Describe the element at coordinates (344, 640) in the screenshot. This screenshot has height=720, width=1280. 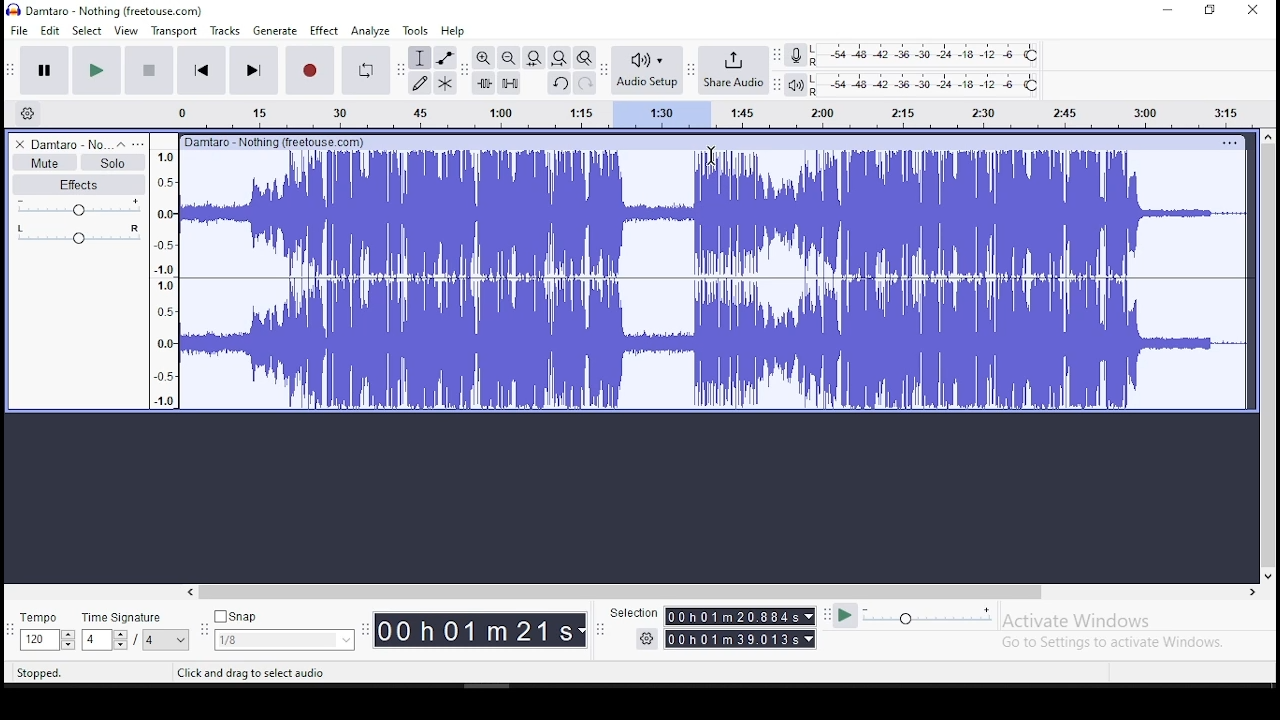
I see `drop down` at that location.